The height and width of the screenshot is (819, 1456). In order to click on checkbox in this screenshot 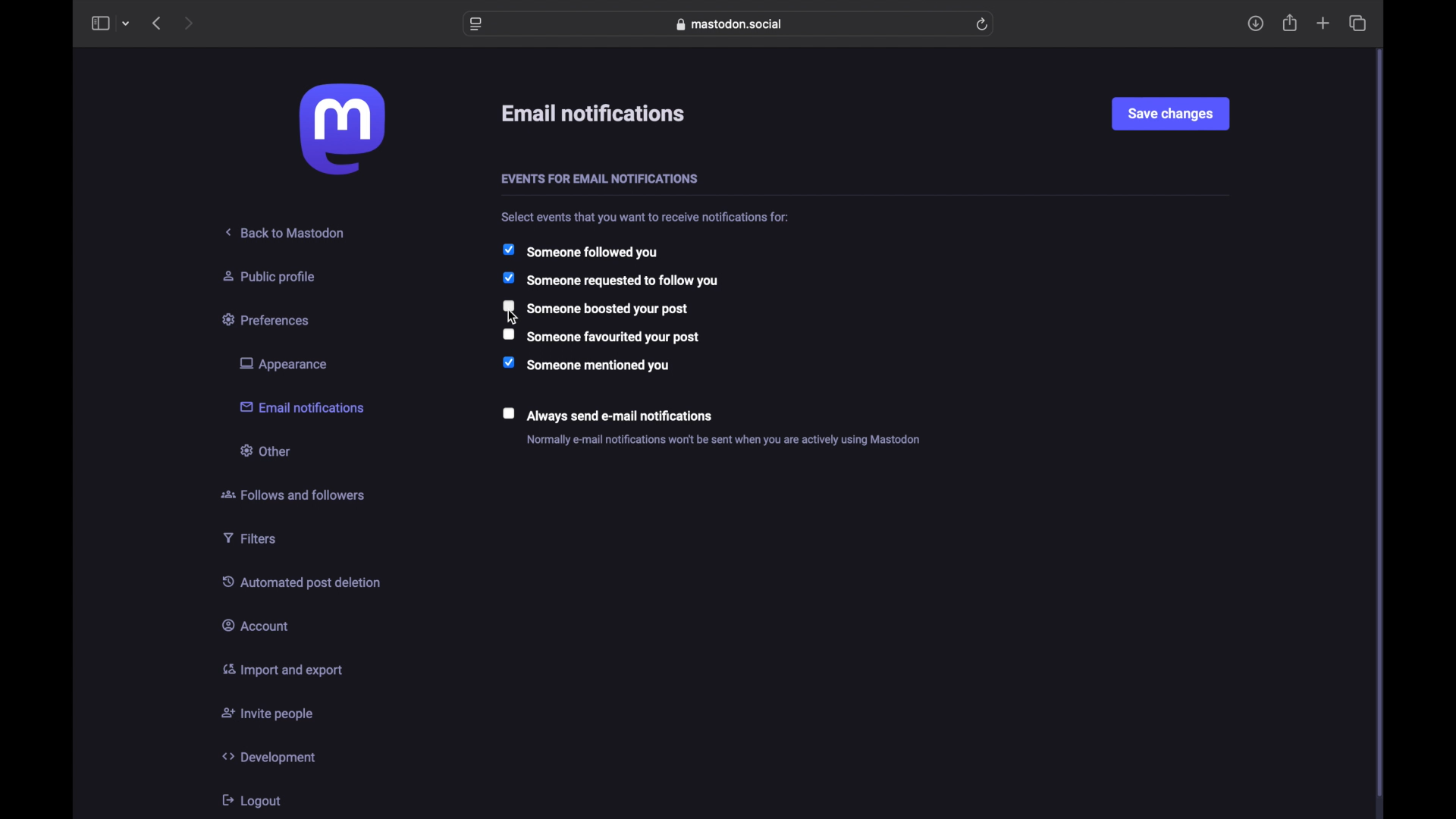, I will do `click(586, 364)`.